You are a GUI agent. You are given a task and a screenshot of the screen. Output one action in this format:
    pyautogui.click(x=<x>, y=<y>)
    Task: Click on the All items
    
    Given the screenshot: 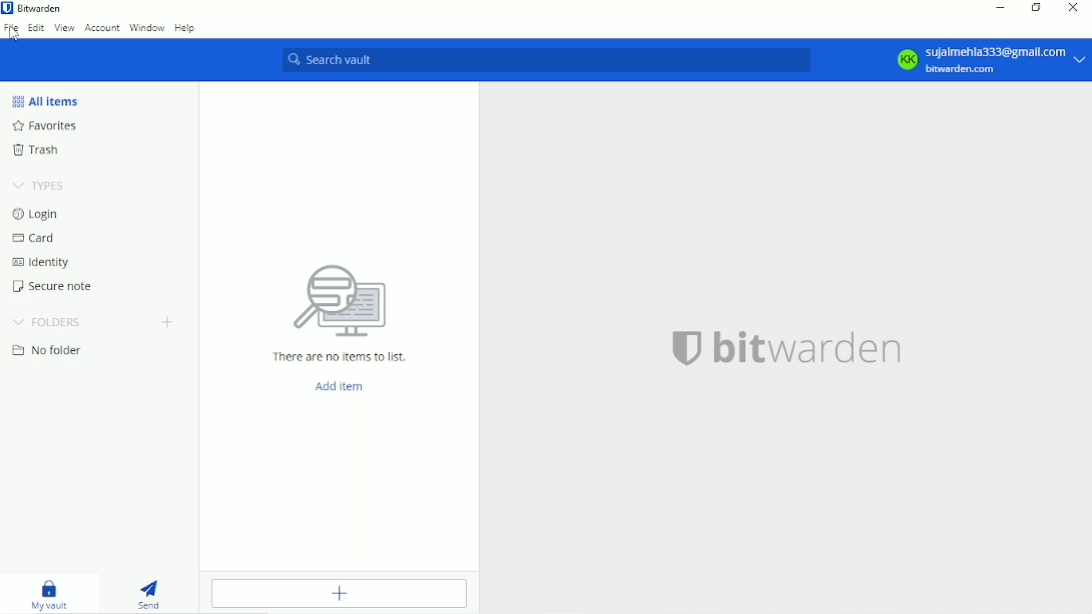 What is the action you would take?
    pyautogui.click(x=50, y=102)
    